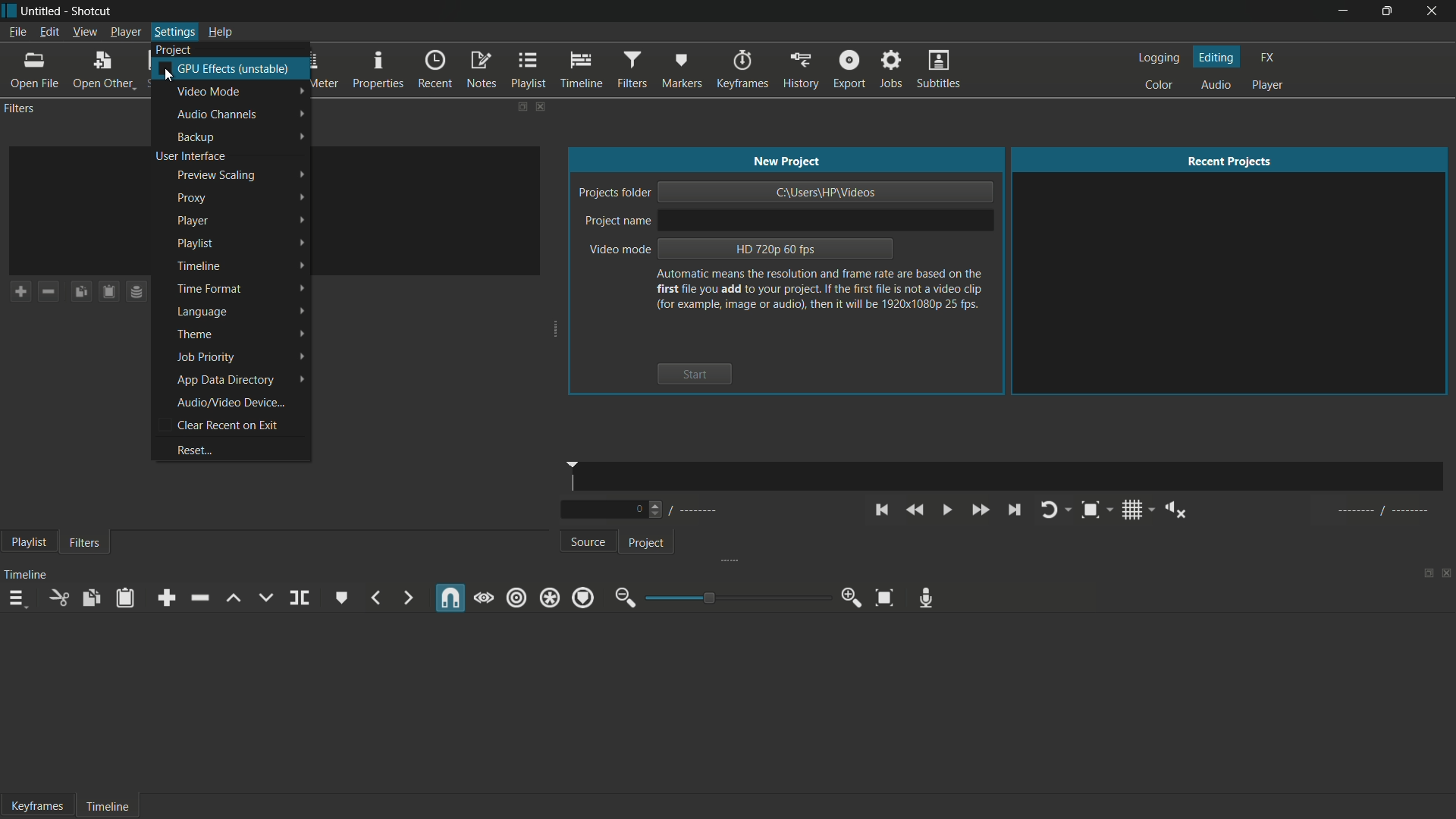  Describe the element at coordinates (1178, 510) in the screenshot. I see `show volume control` at that location.